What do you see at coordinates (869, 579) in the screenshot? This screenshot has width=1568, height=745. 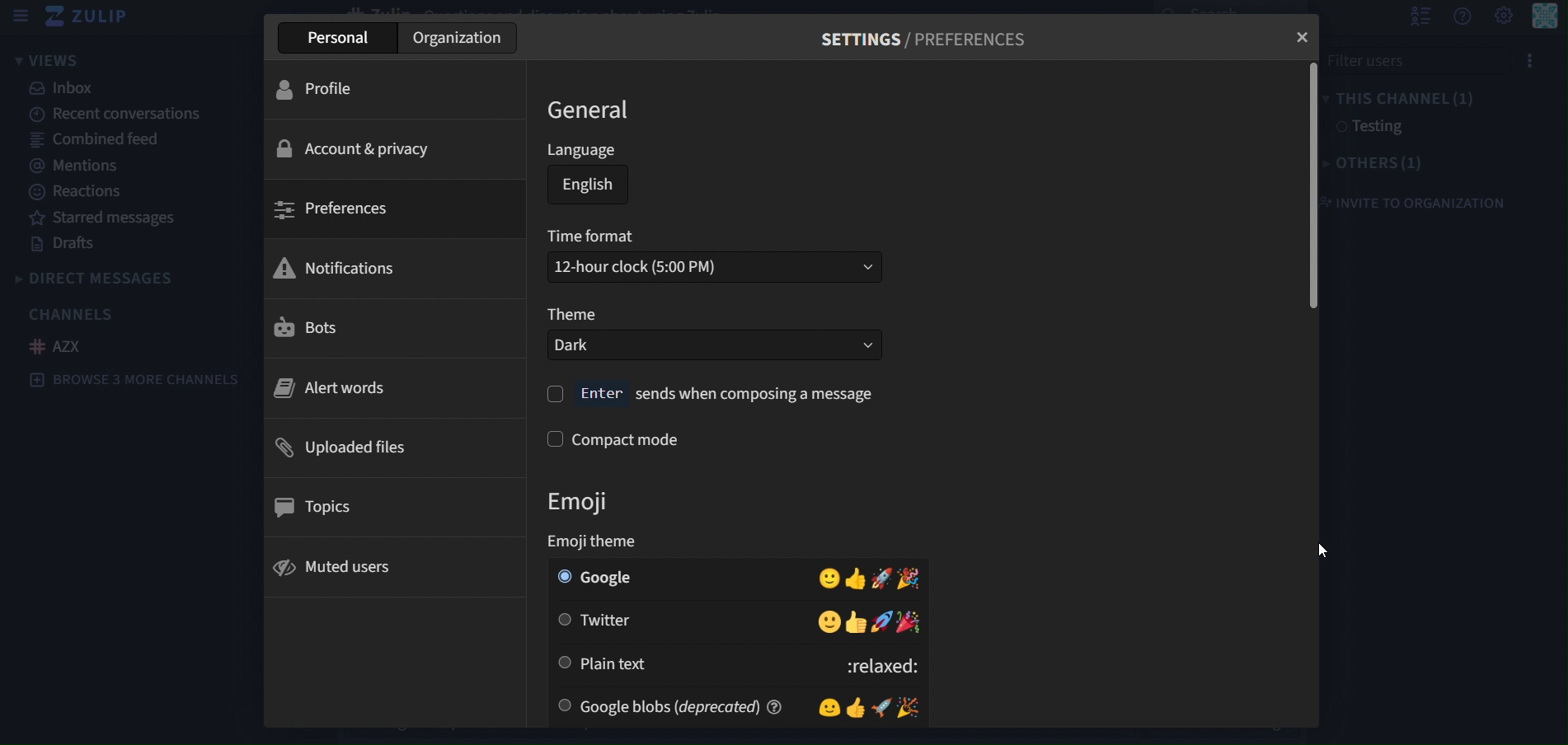 I see `emojis` at bounding box center [869, 579].